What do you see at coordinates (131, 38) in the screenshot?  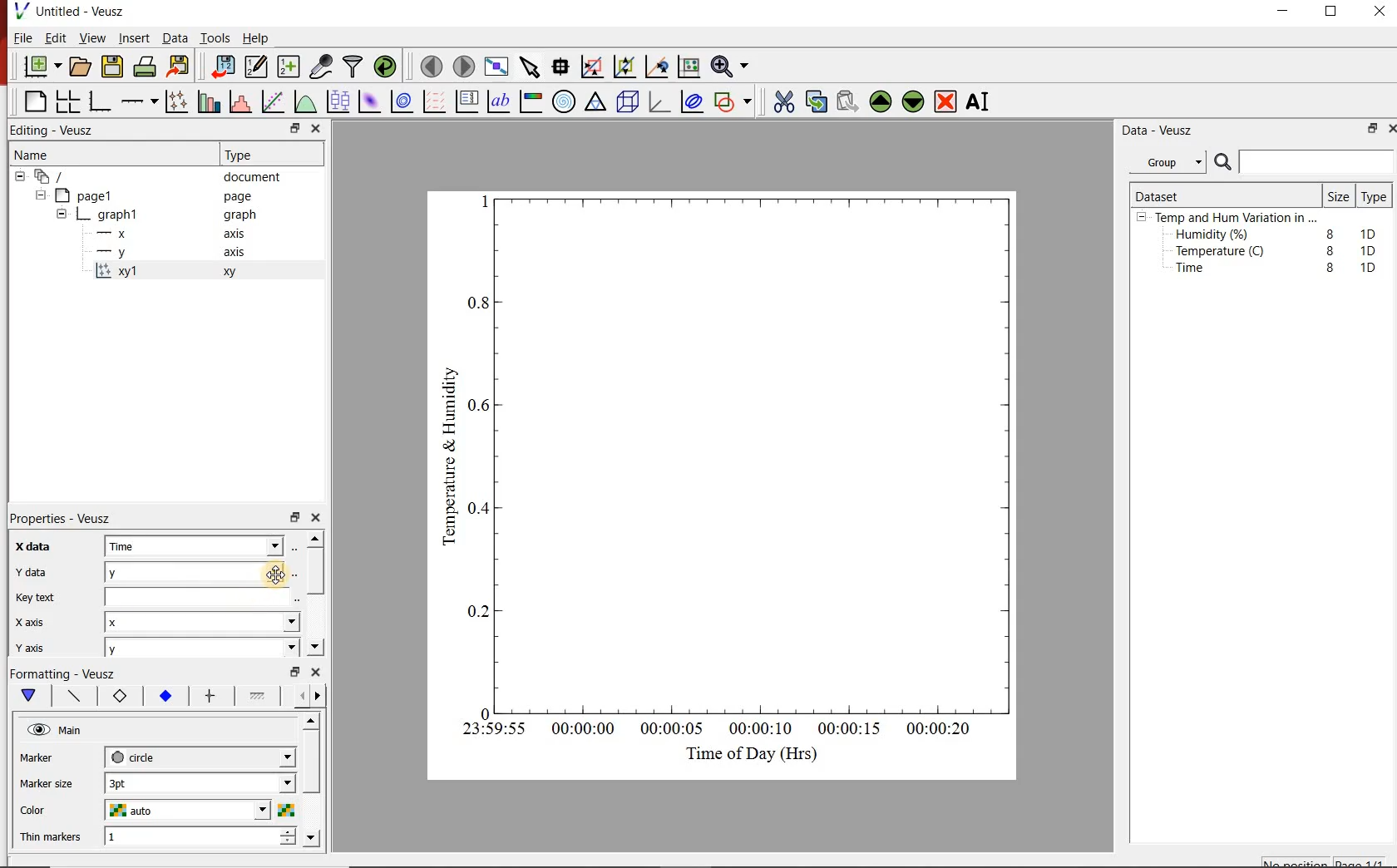 I see `Insert` at bounding box center [131, 38].